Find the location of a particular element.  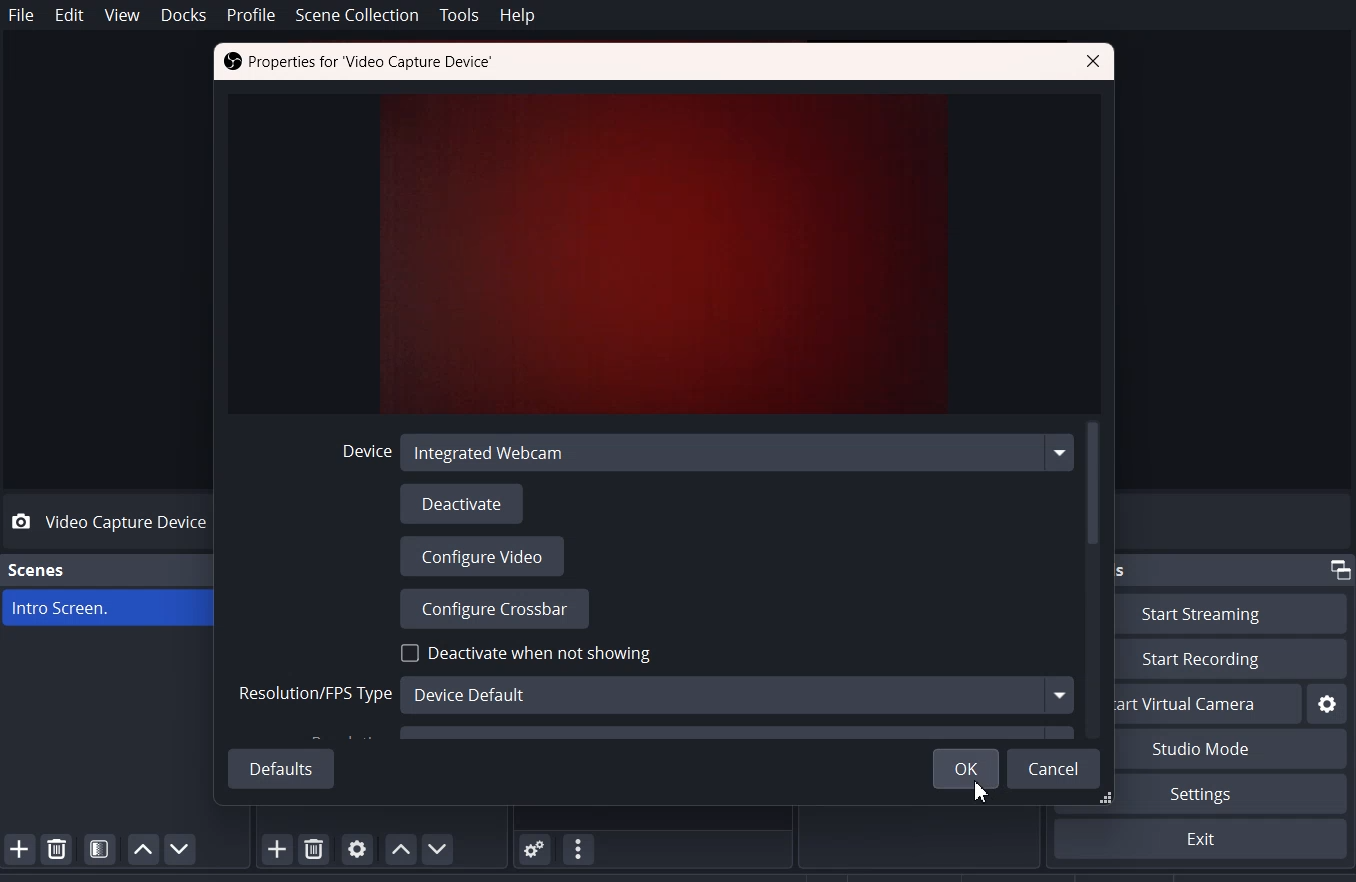

Docks is located at coordinates (184, 14).